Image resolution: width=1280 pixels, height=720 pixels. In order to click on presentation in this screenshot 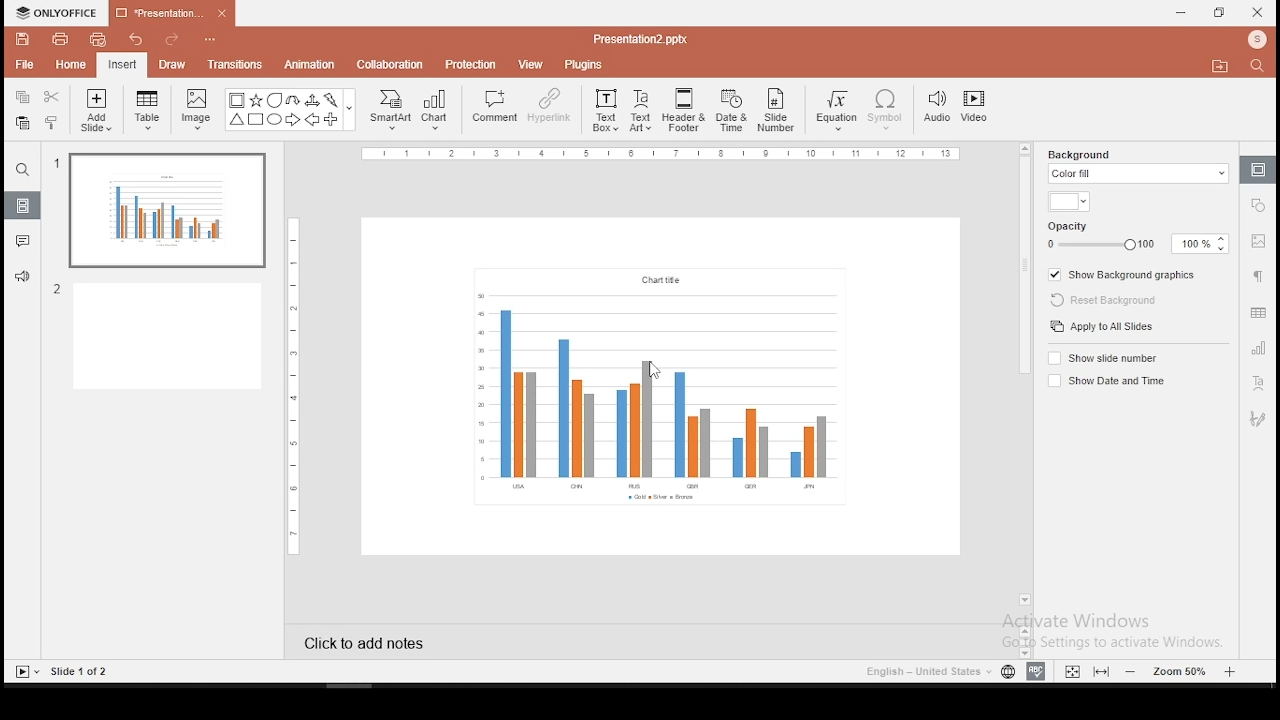, I will do `click(169, 13)`.